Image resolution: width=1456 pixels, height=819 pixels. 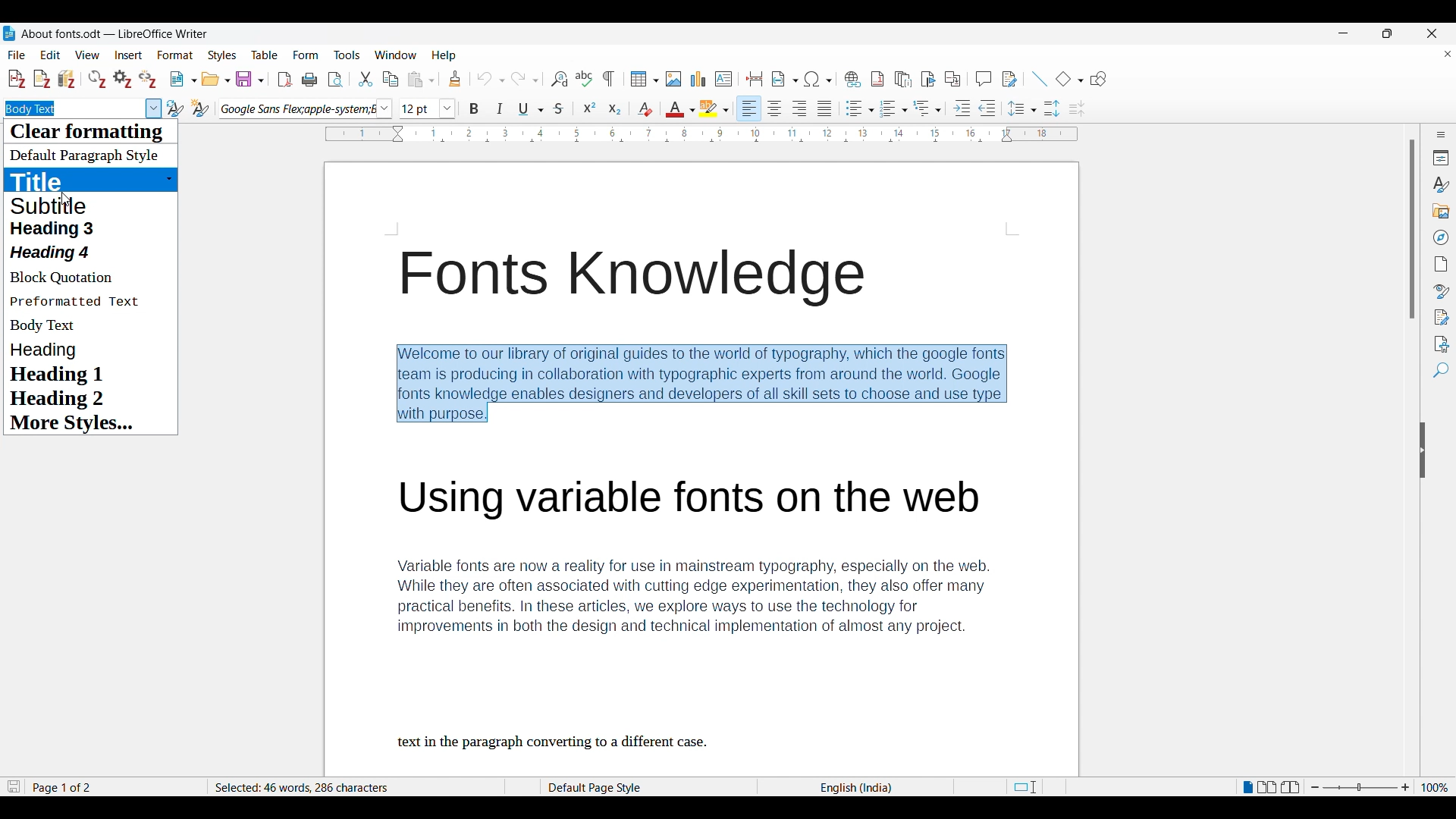 What do you see at coordinates (598, 788) in the screenshot?
I see `Default Page Style` at bounding box center [598, 788].